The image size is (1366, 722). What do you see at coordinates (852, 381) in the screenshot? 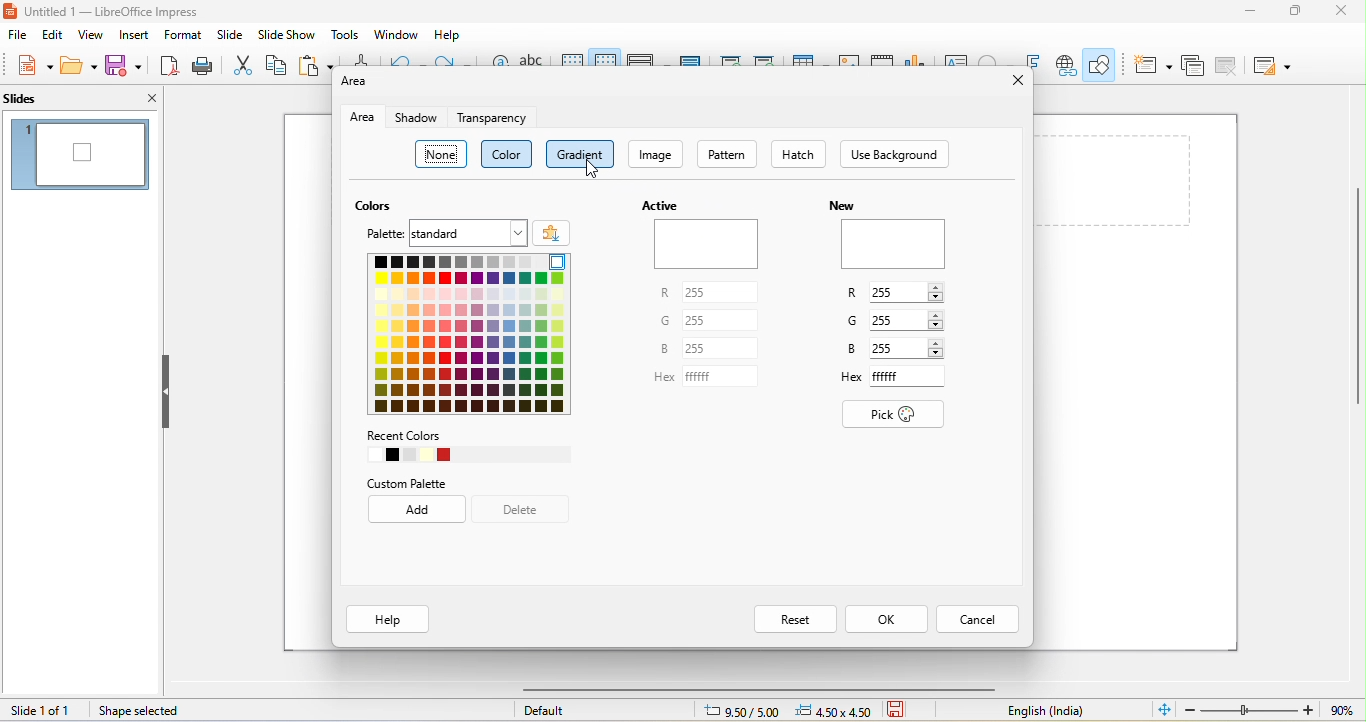
I see `hex` at bounding box center [852, 381].